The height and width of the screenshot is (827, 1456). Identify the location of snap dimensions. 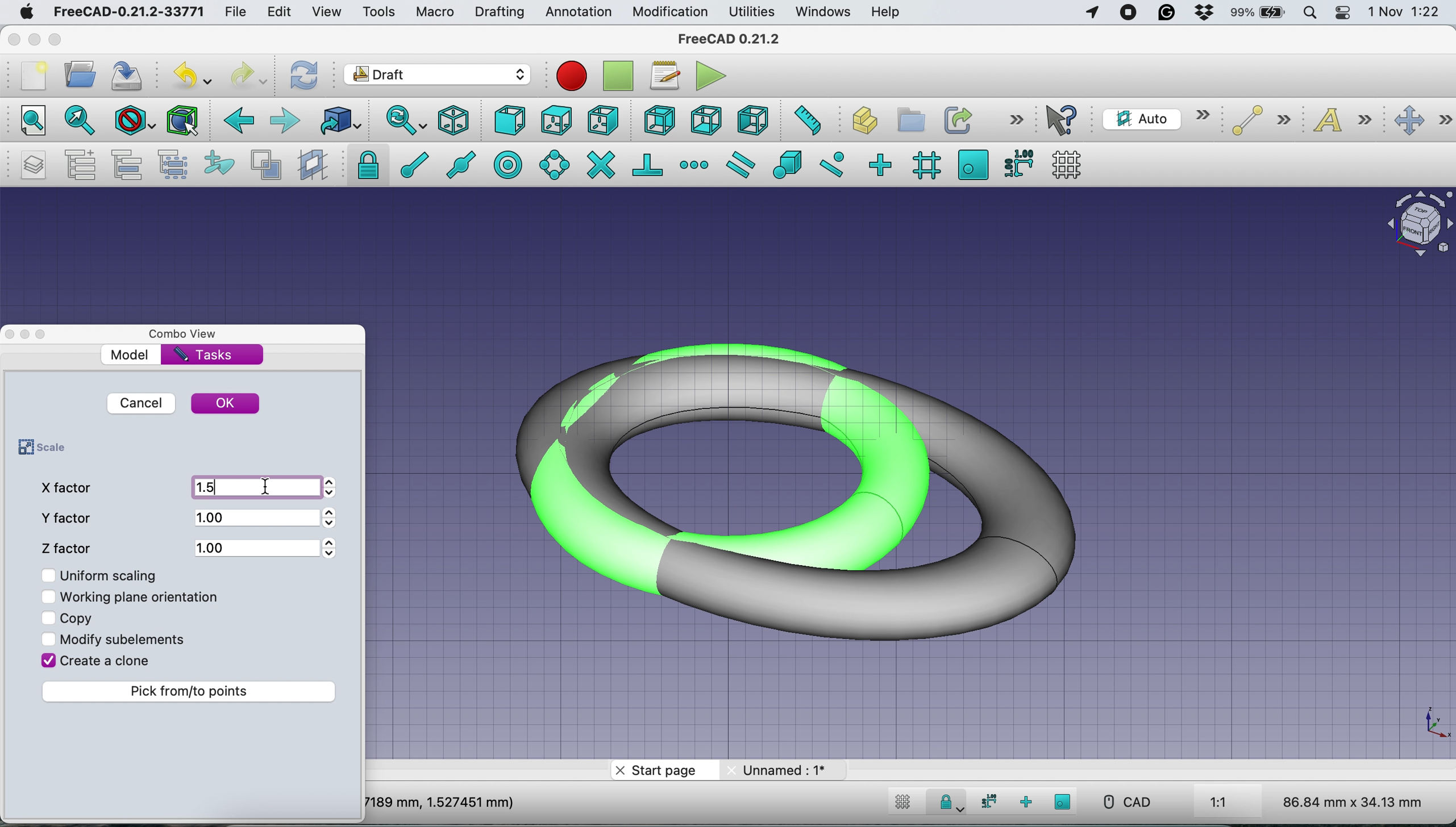
(987, 801).